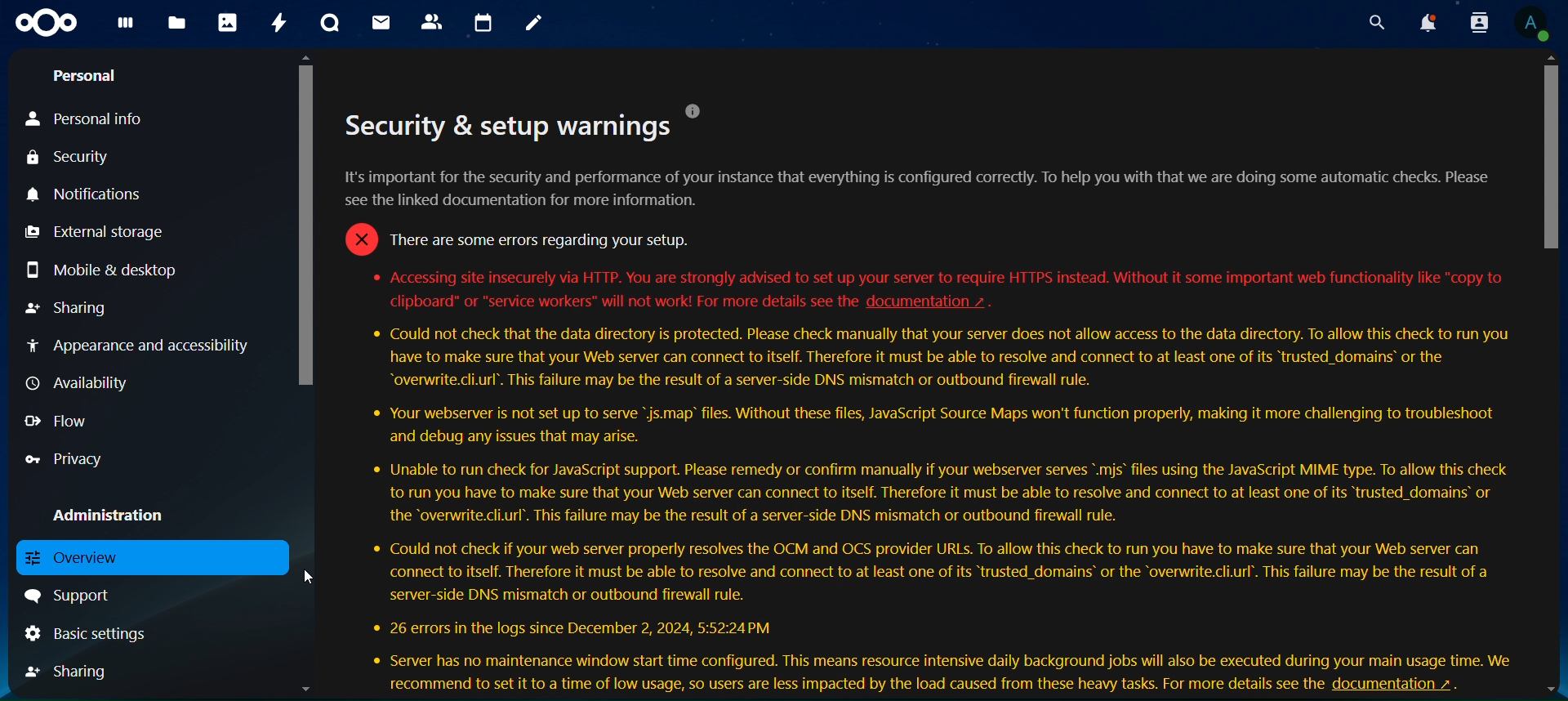 The height and width of the screenshot is (701, 1568). I want to click on sharing, so click(72, 671).